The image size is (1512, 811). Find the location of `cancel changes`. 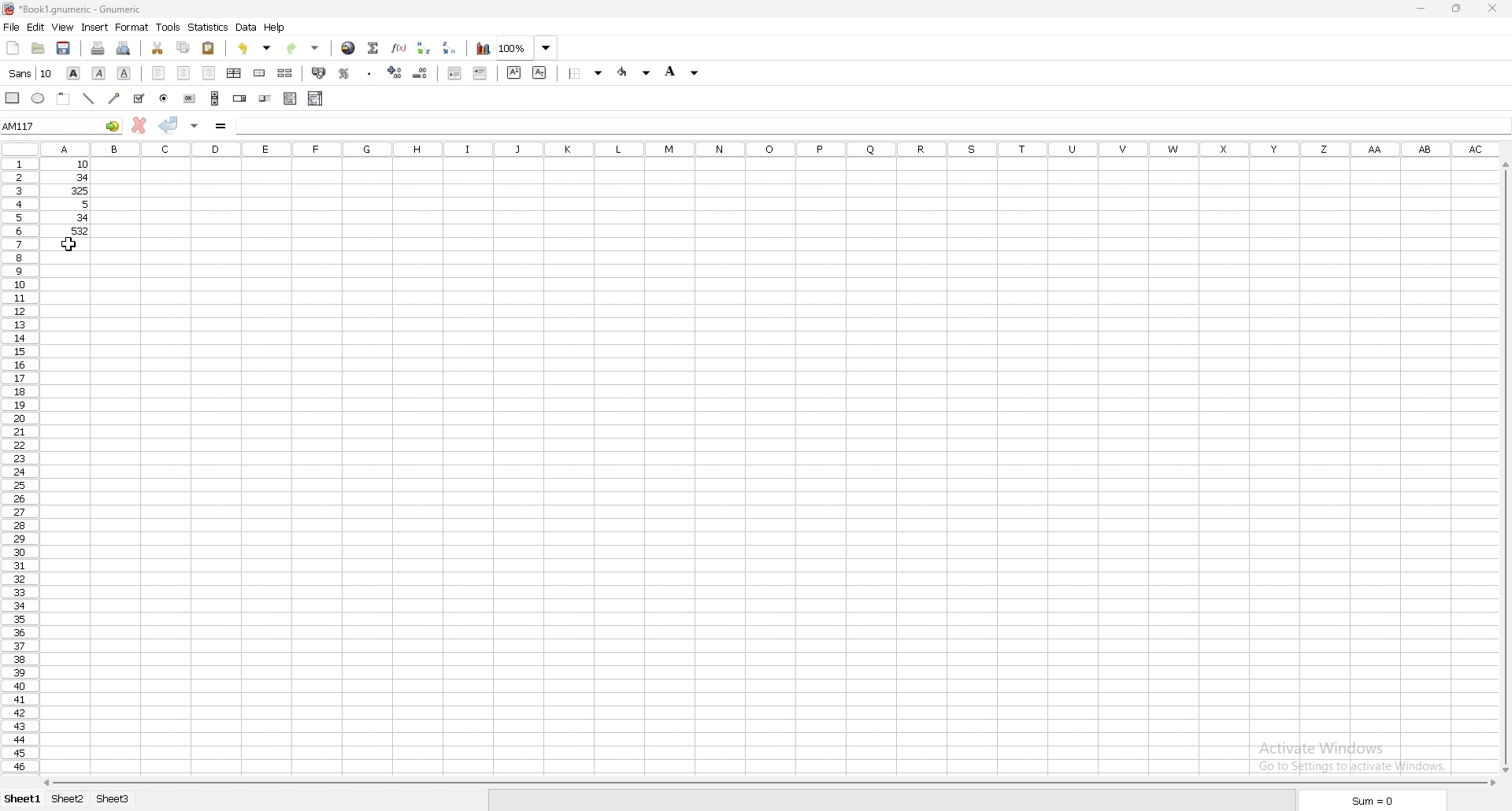

cancel changes is located at coordinates (139, 125).